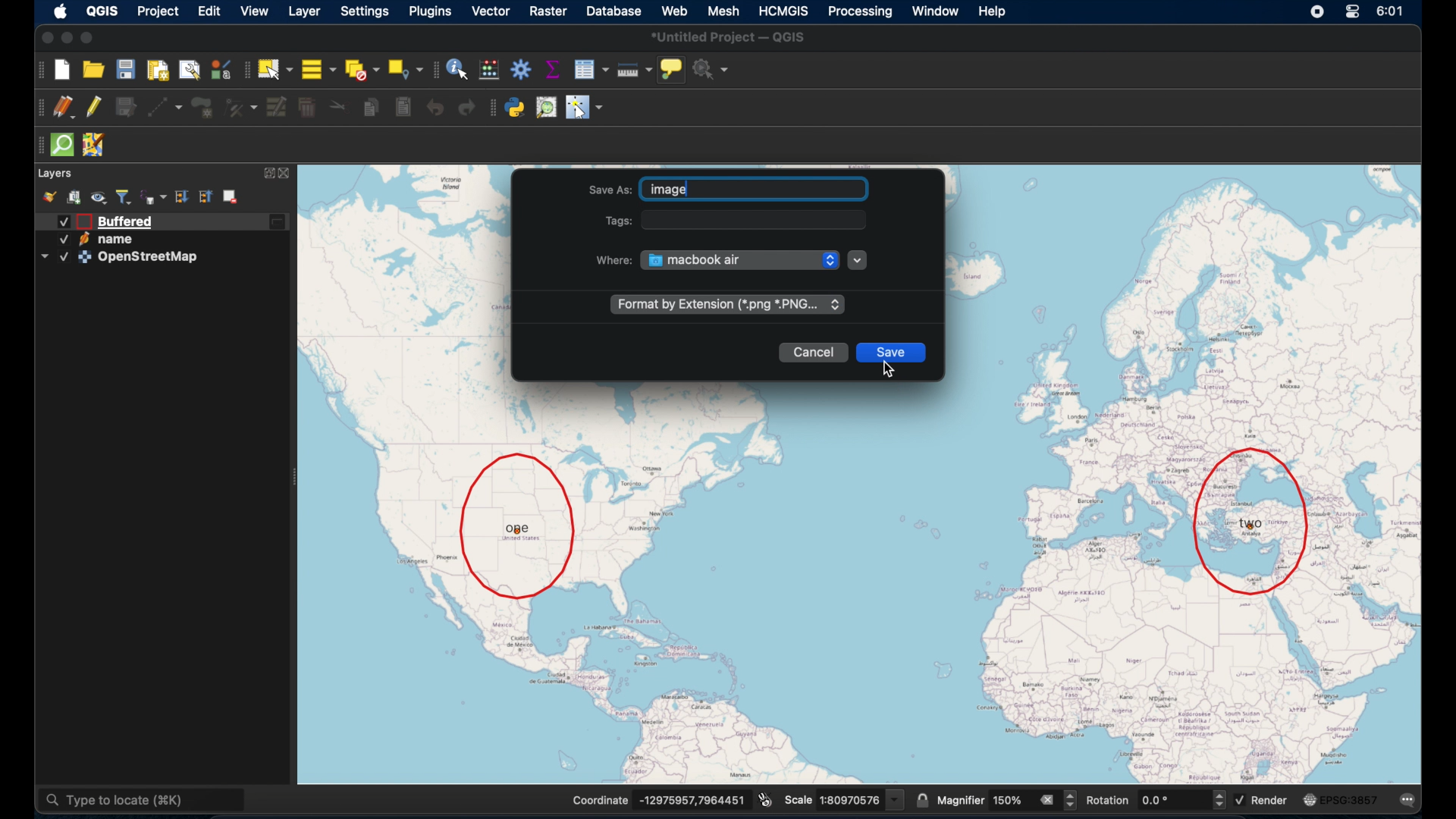 Image resolution: width=1456 pixels, height=819 pixels. Describe the element at coordinates (1409, 799) in the screenshot. I see `messages` at that location.